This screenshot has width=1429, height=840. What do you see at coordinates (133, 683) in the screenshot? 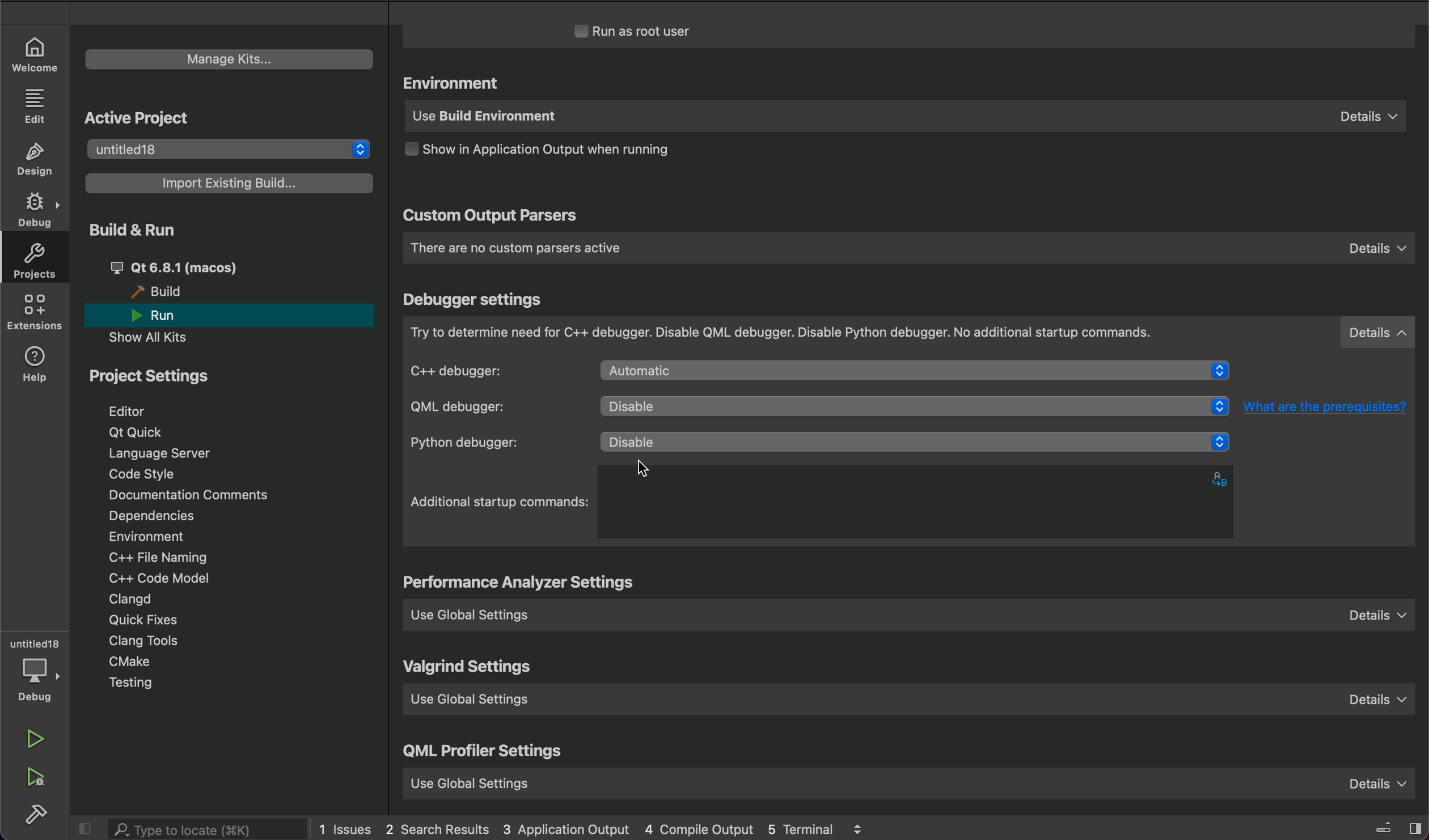
I see `testing` at bounding box center [133, 683].